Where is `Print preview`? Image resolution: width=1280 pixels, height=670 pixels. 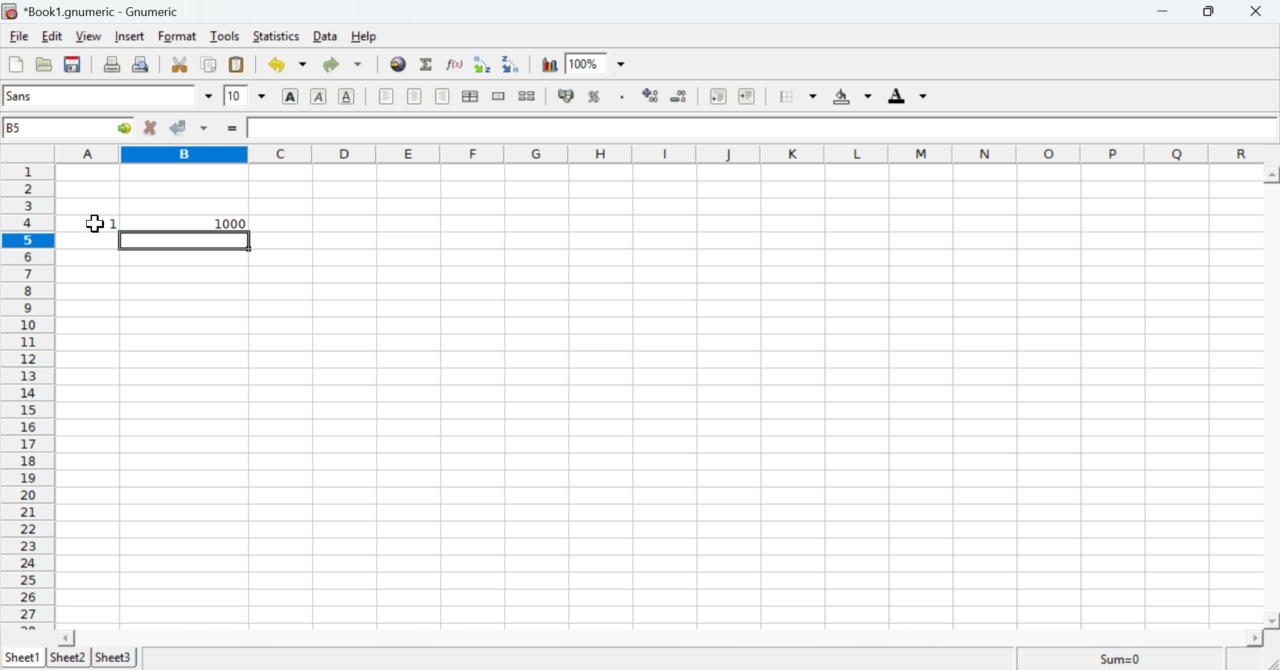 Print preview is located at coordinates (142, 64).